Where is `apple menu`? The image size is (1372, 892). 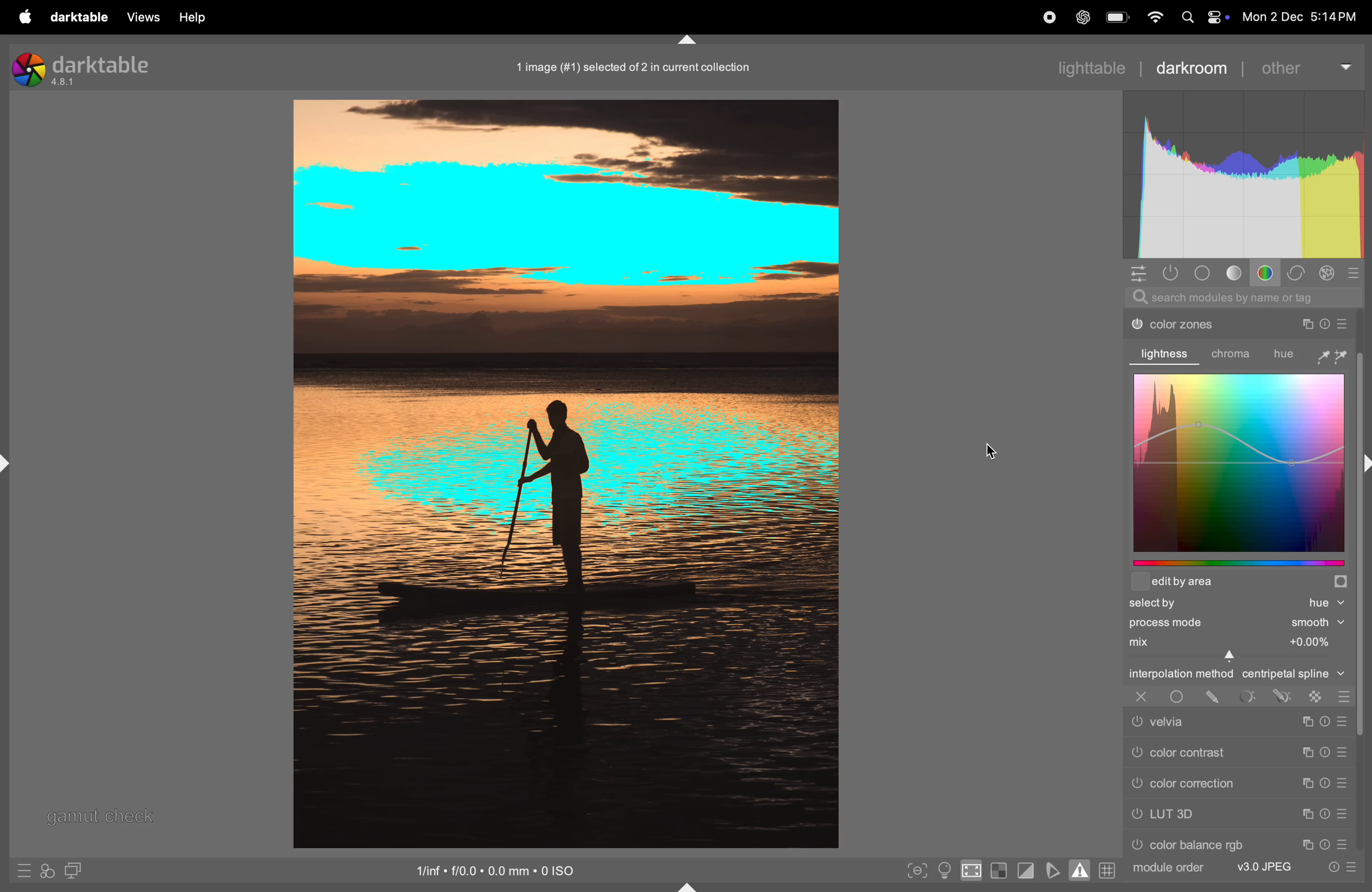
apple menu is located at coordinates (25, 17).